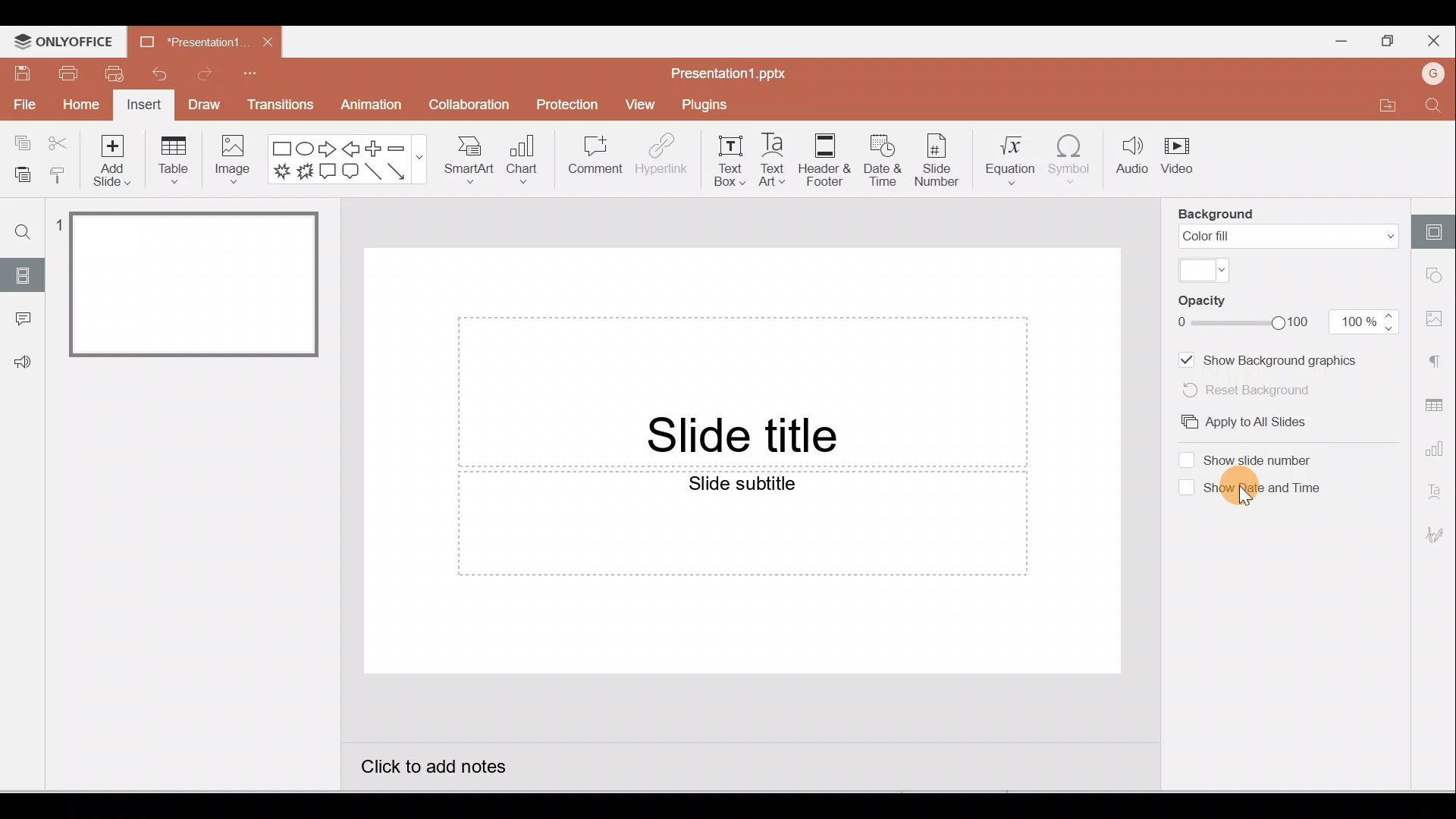  What do you see at coordinates (1205, 270) in the screenshot?
I see `Select colour` at bounding box center [1205, 270].